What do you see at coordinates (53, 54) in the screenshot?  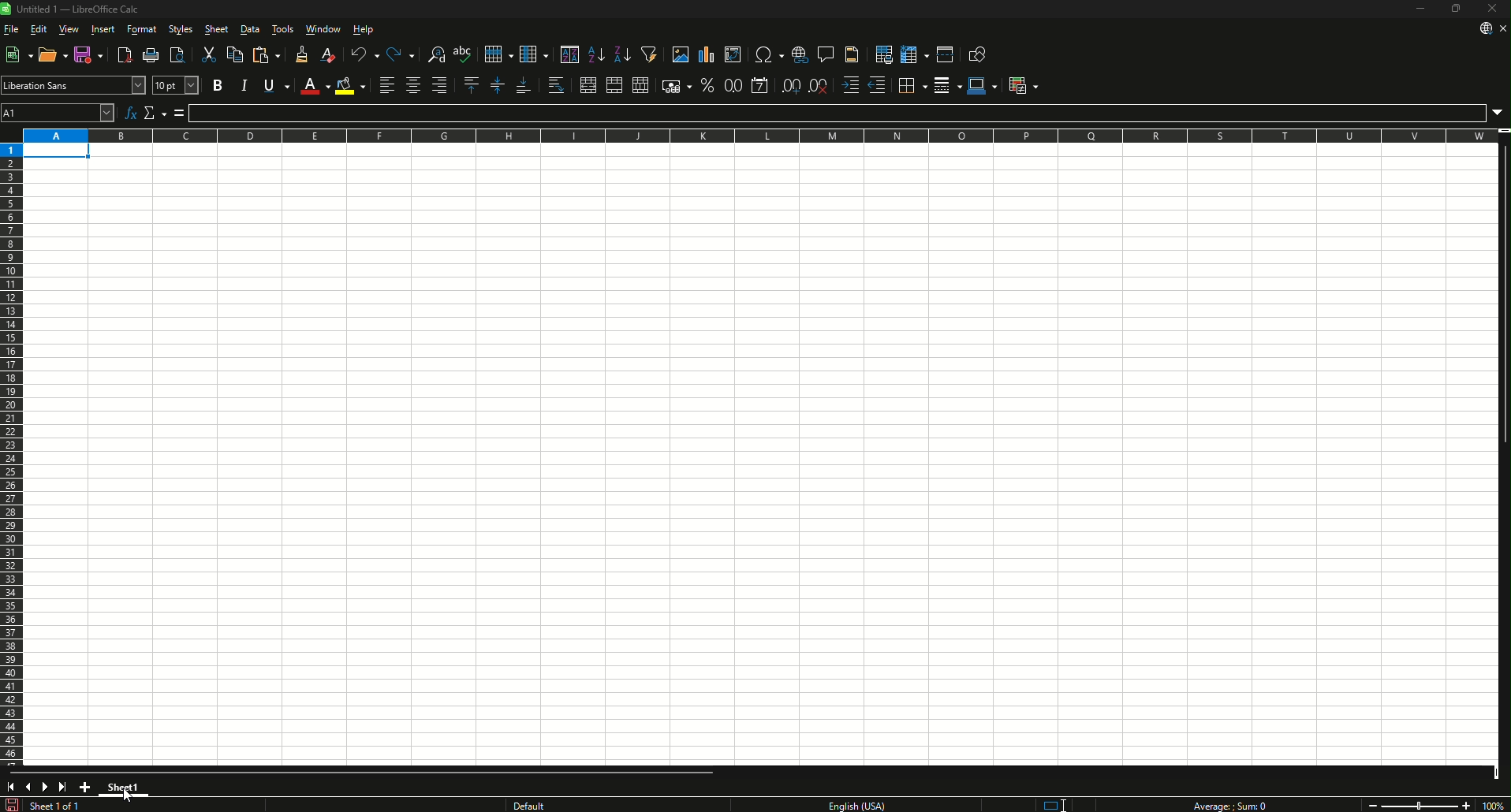 I see `Open` at bounding box center [53, 54].